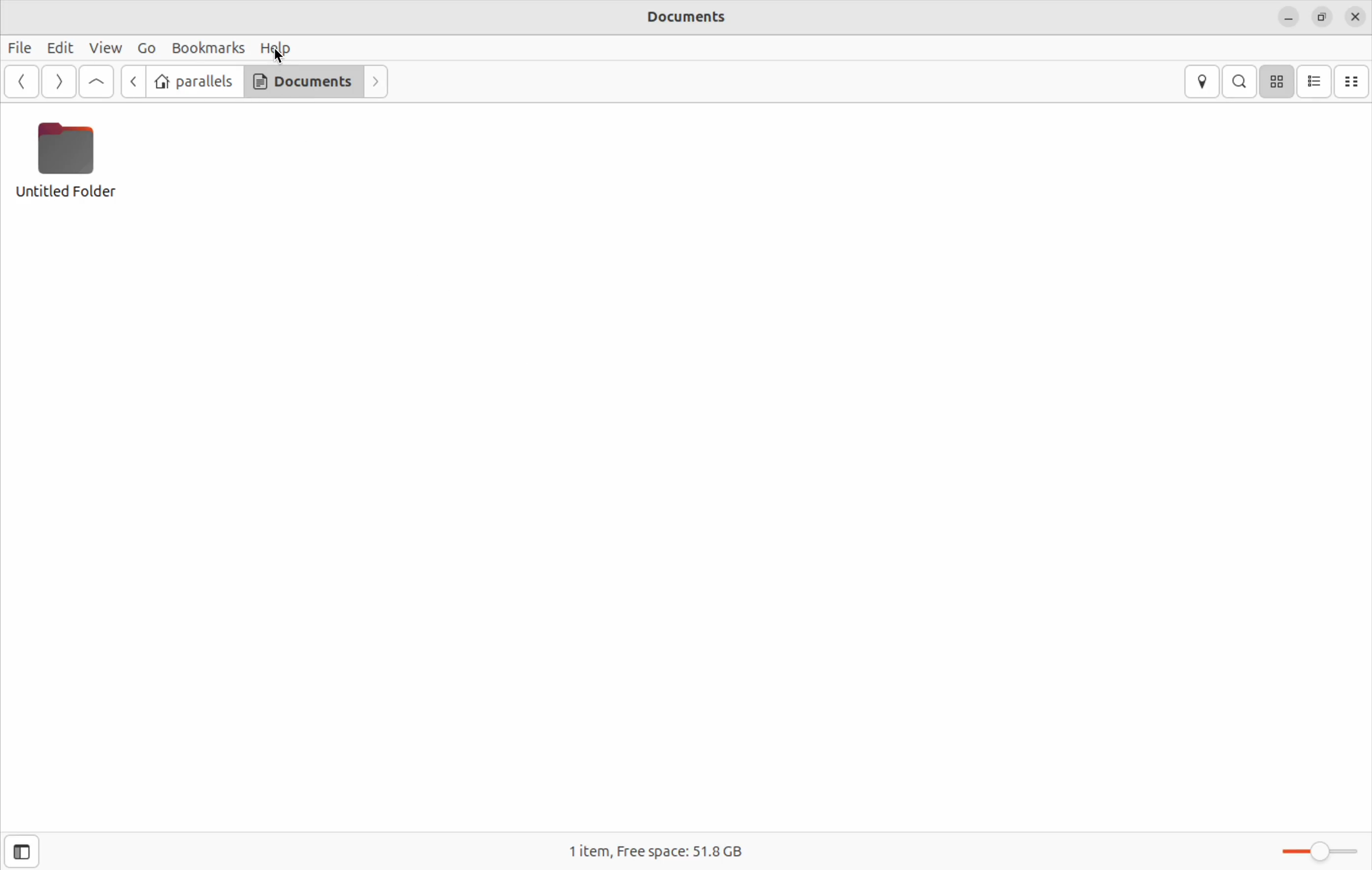 Image resolution: width=1372 pixels, height=870 pixels. I want to click on close, so click(1355, 15).